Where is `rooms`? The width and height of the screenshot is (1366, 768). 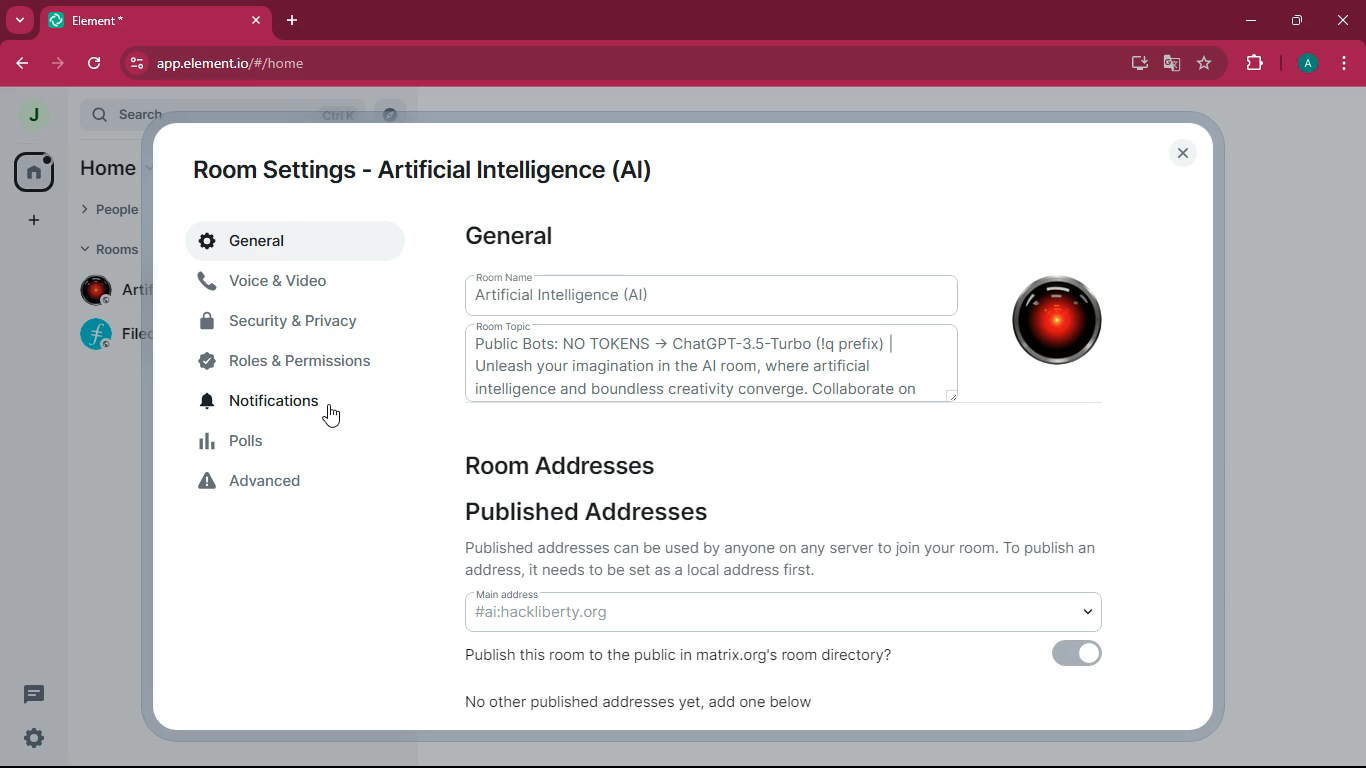
rooms is located at coordinates (108, 248).